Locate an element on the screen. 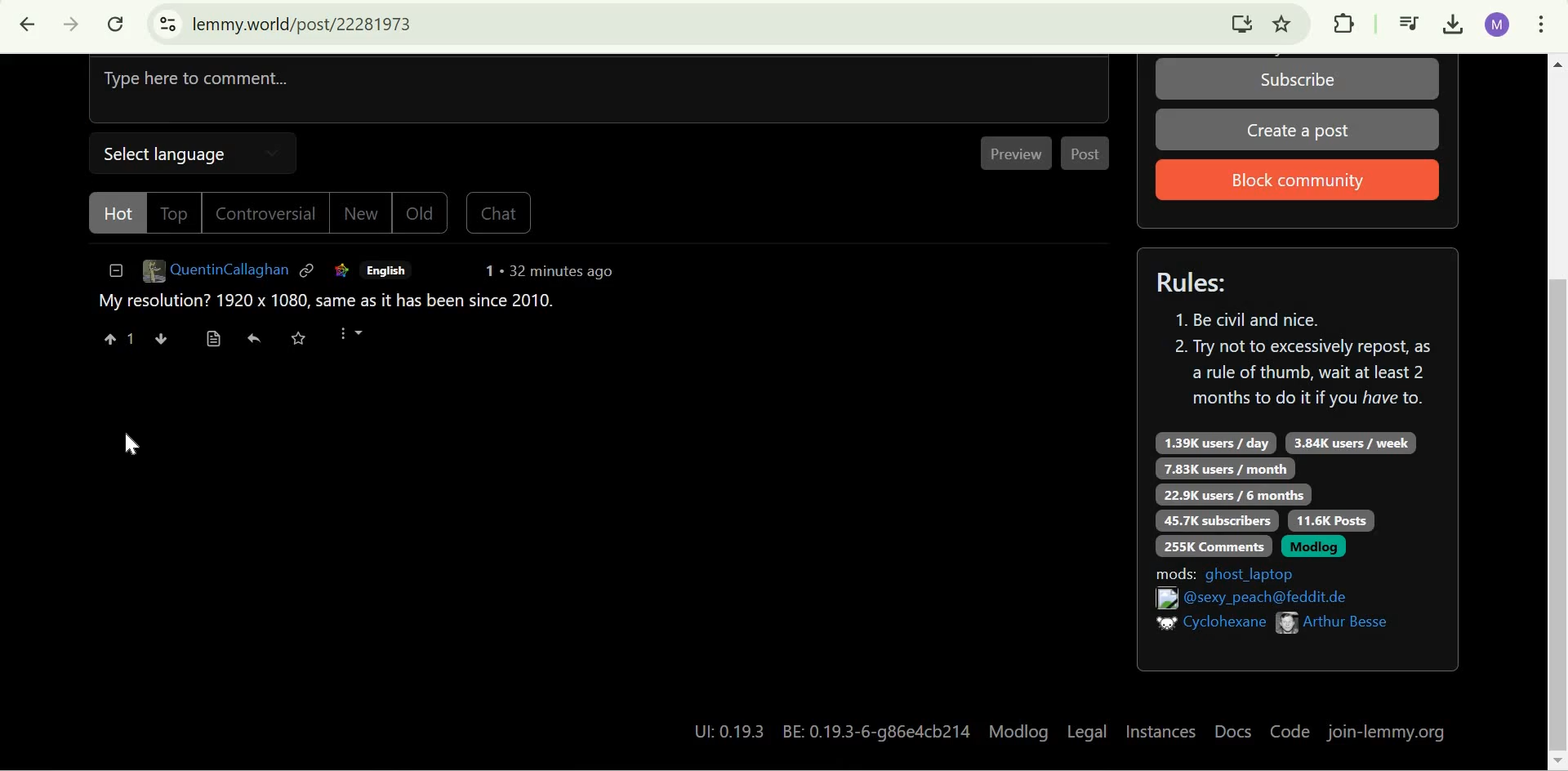  Legal is located at coordinates (1087, 730).